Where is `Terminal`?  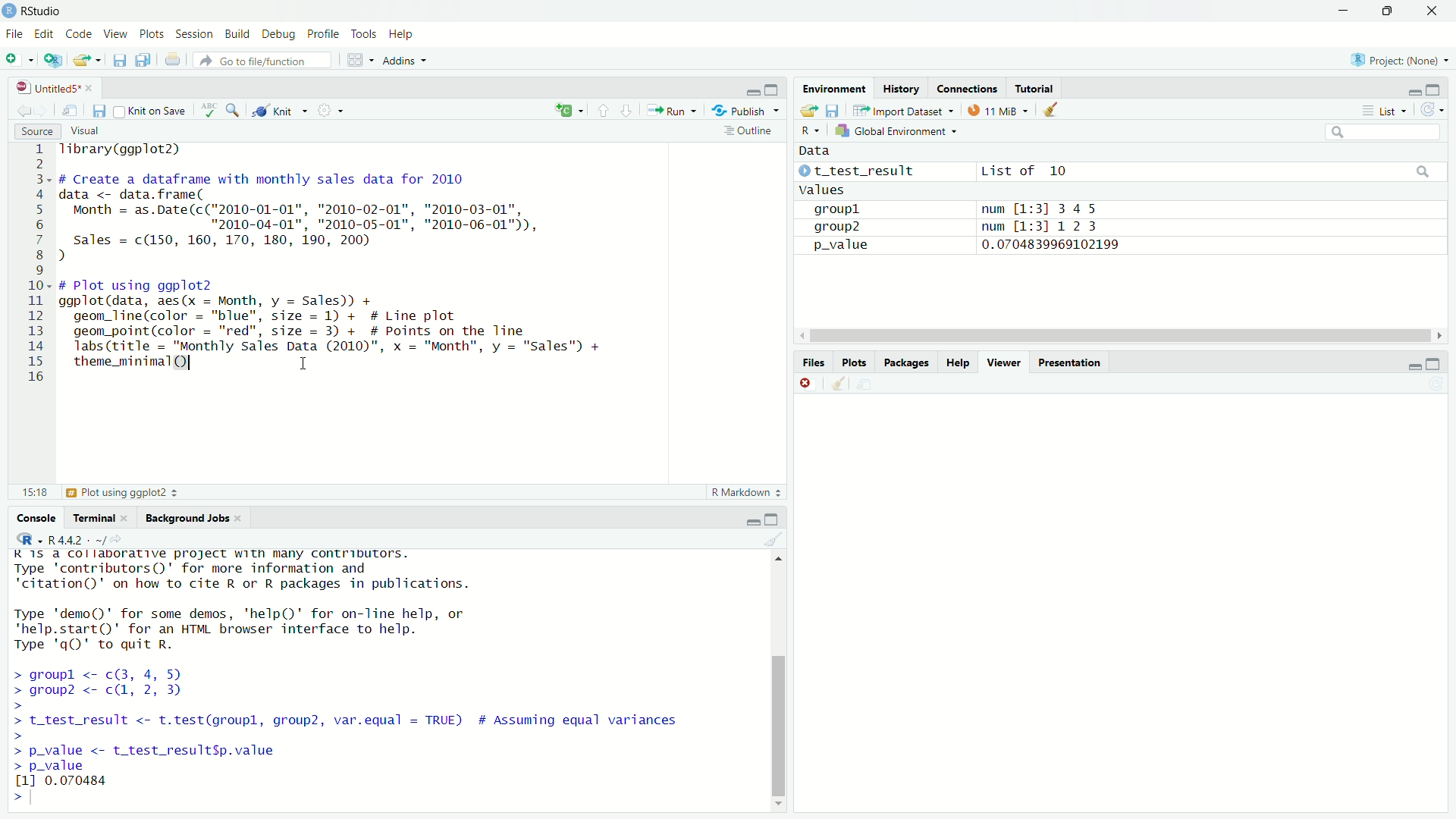 Terminal is located at coordinates (98, 516).